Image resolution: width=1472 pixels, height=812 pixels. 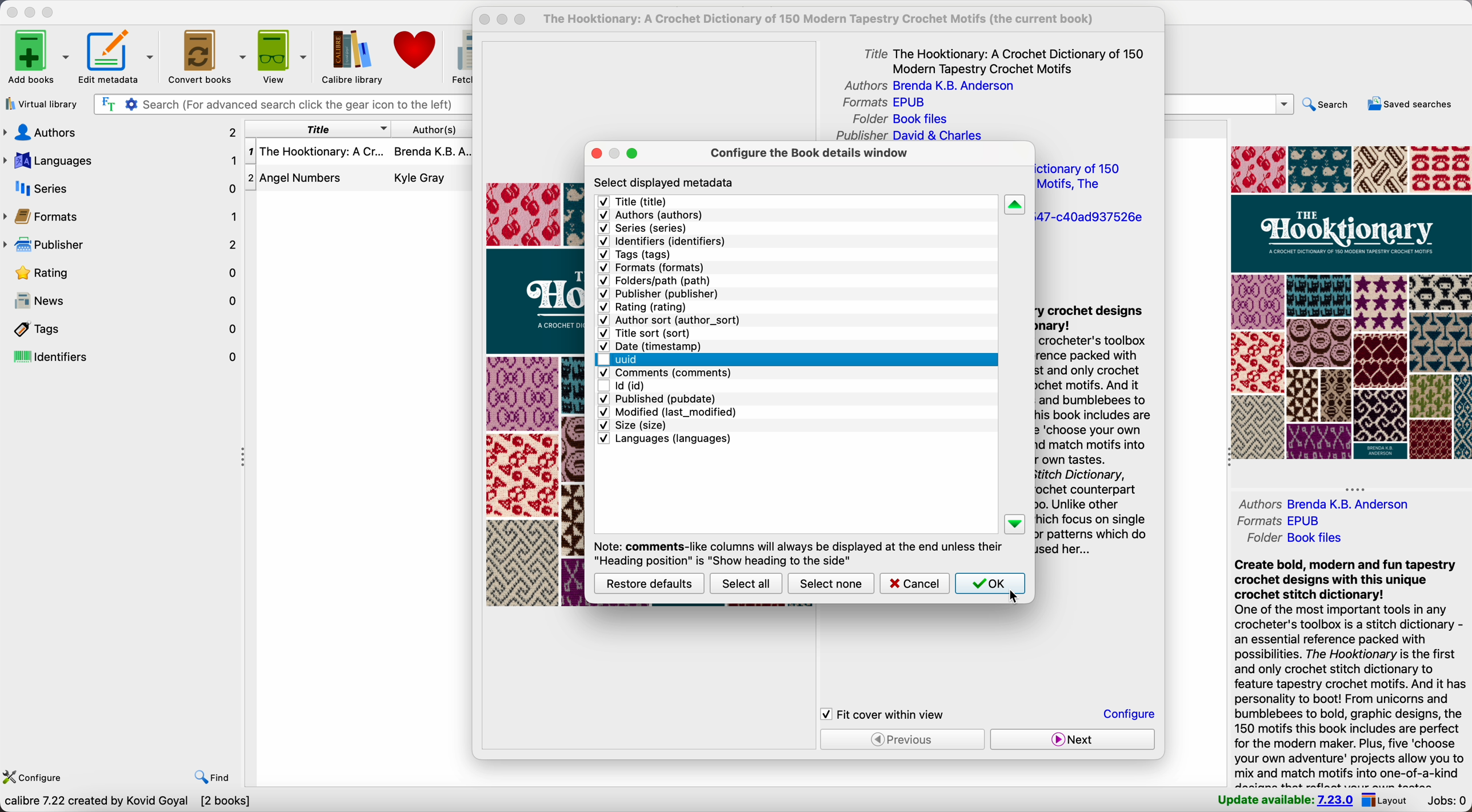 I want to click on identifiers, so click(x=122, y=358).